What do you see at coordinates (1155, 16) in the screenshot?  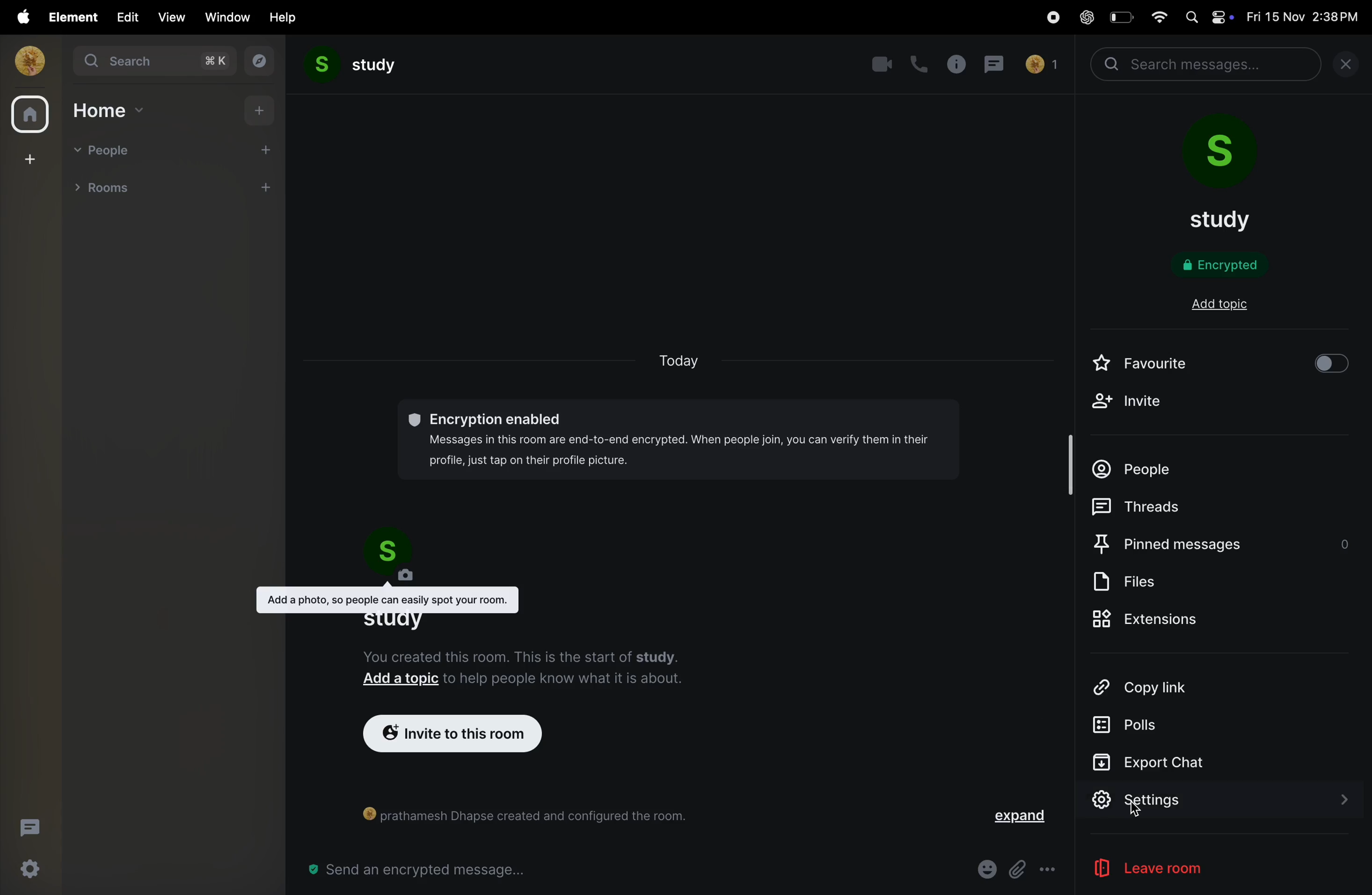 I see `wifi` at bounding box center [1155, 16].